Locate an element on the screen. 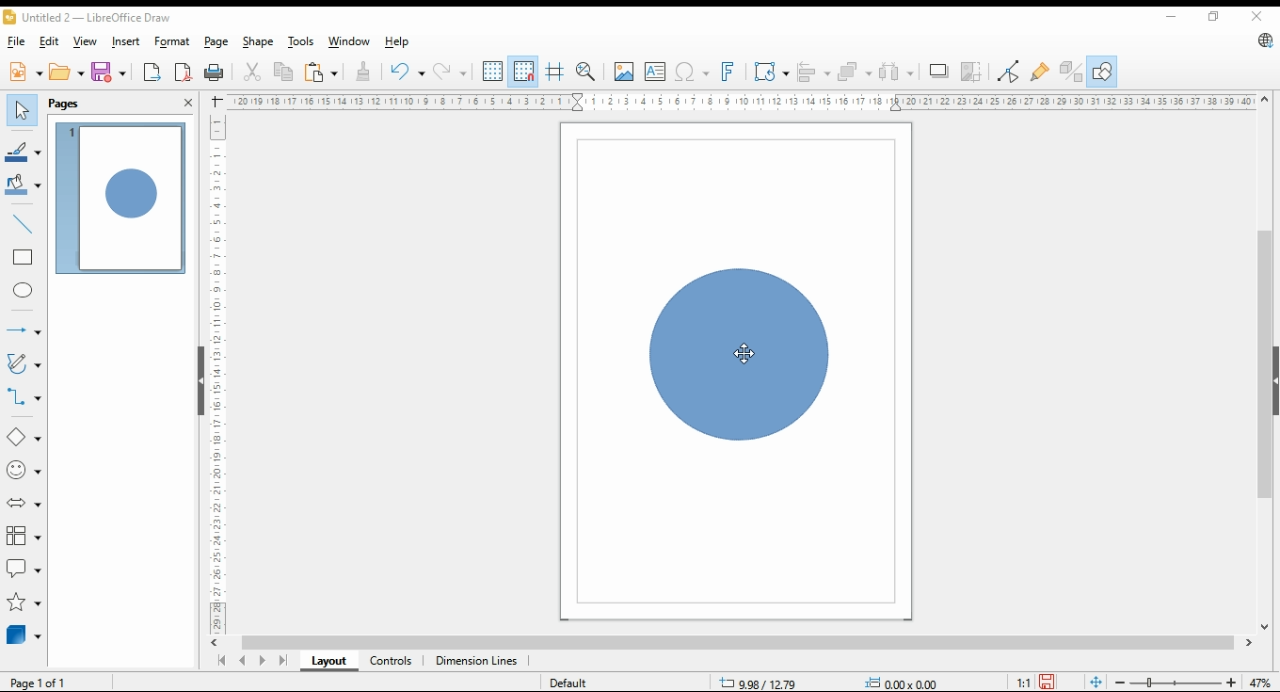 The image size is (1280, 692). helplines while moving is located at coordinates (553, 72).